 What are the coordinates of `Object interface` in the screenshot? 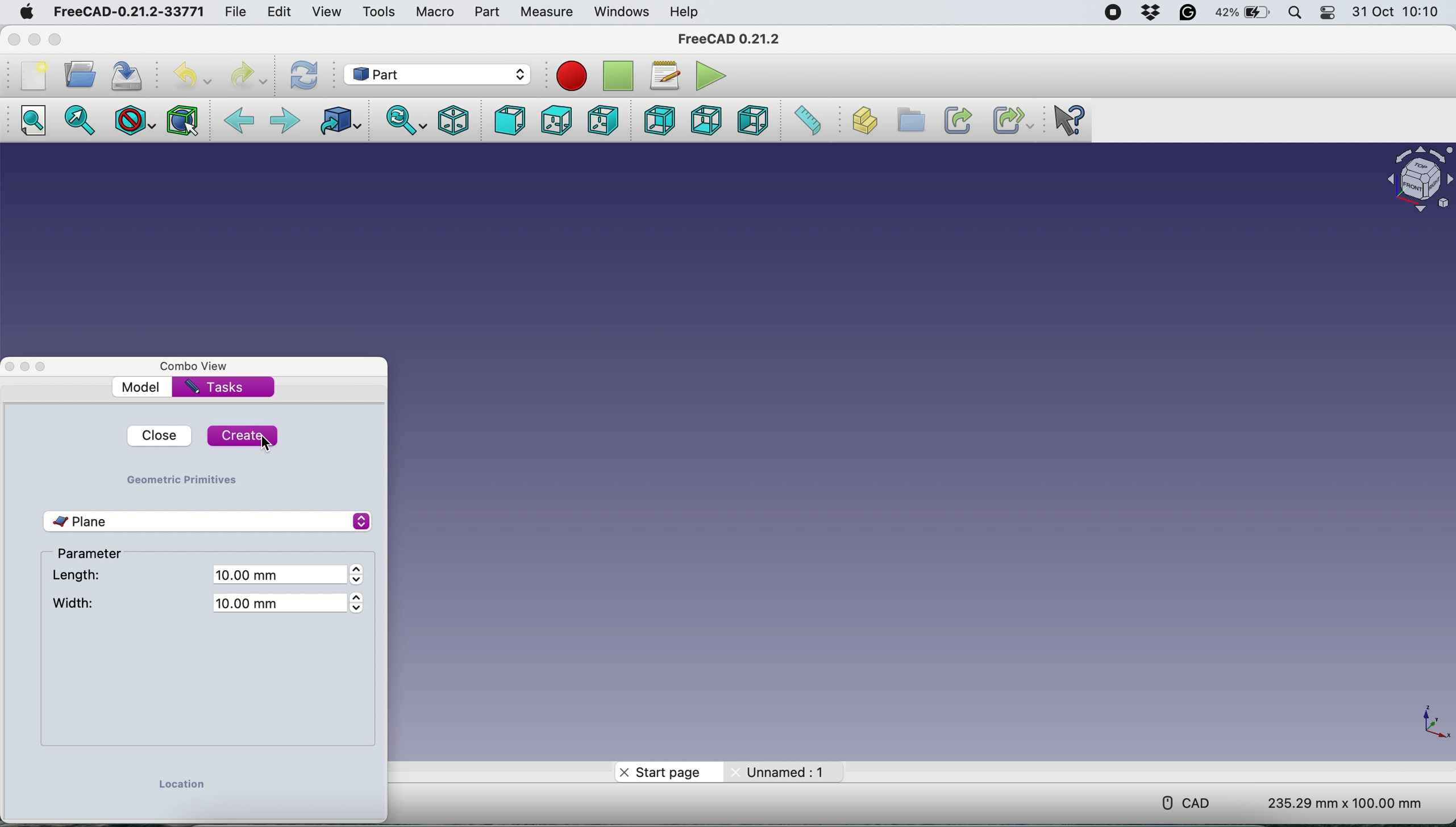 It's located at (1418, 183).